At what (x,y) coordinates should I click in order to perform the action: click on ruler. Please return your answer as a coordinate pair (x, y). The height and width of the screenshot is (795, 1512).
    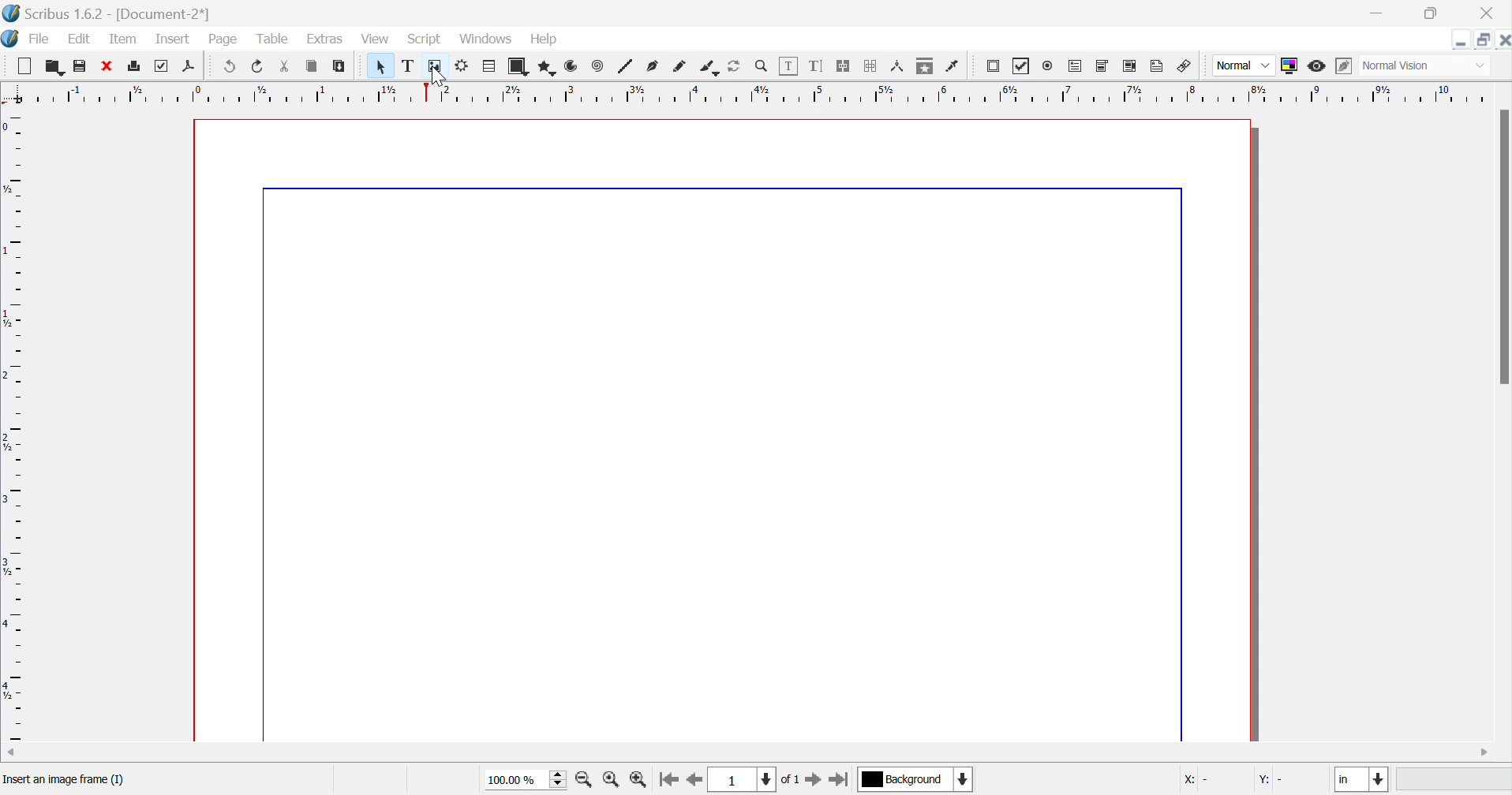
    Looking at the image, I should click on (13, 427).